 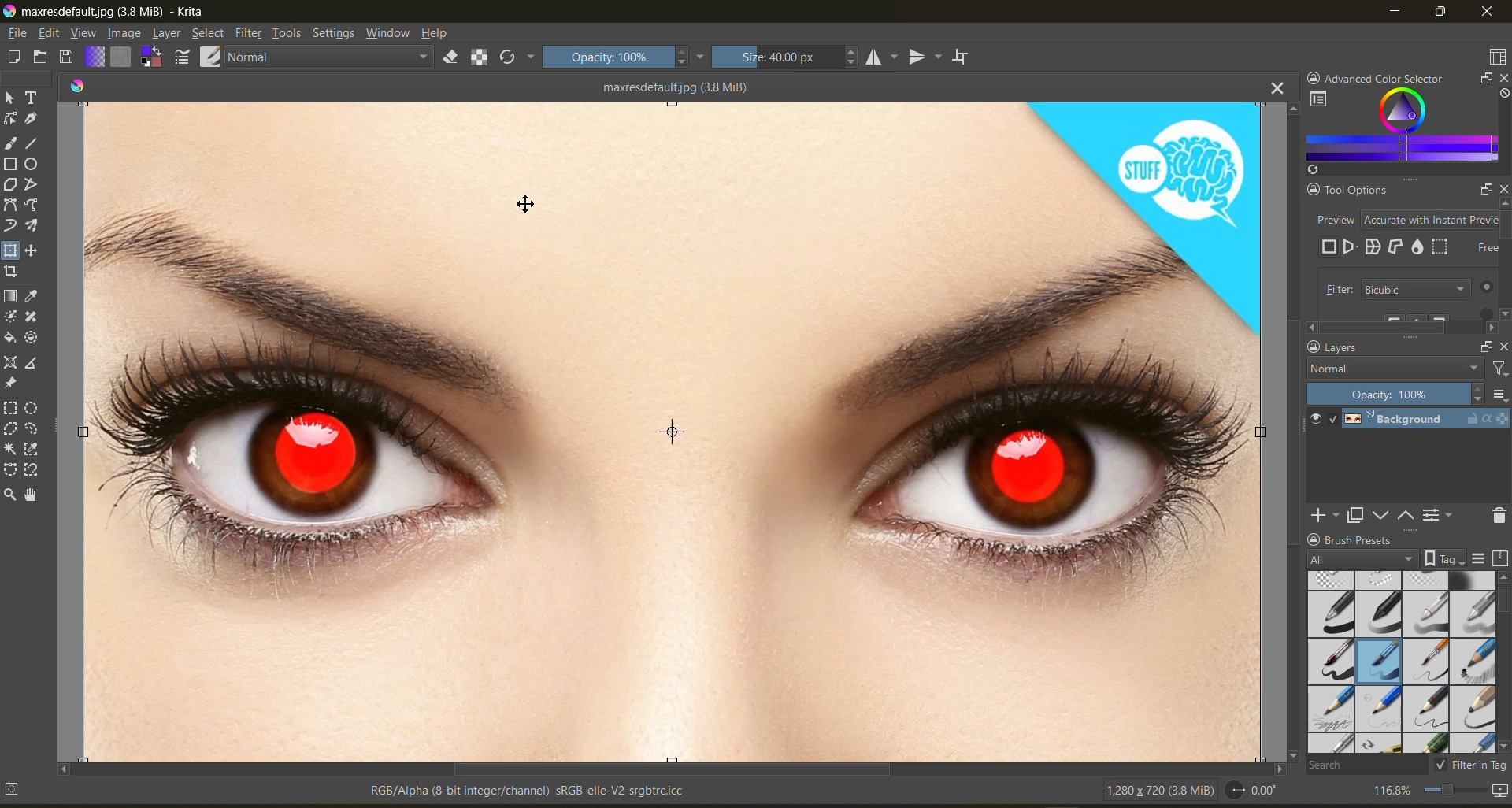 I want to click on tool, so click(x=32, y=339).